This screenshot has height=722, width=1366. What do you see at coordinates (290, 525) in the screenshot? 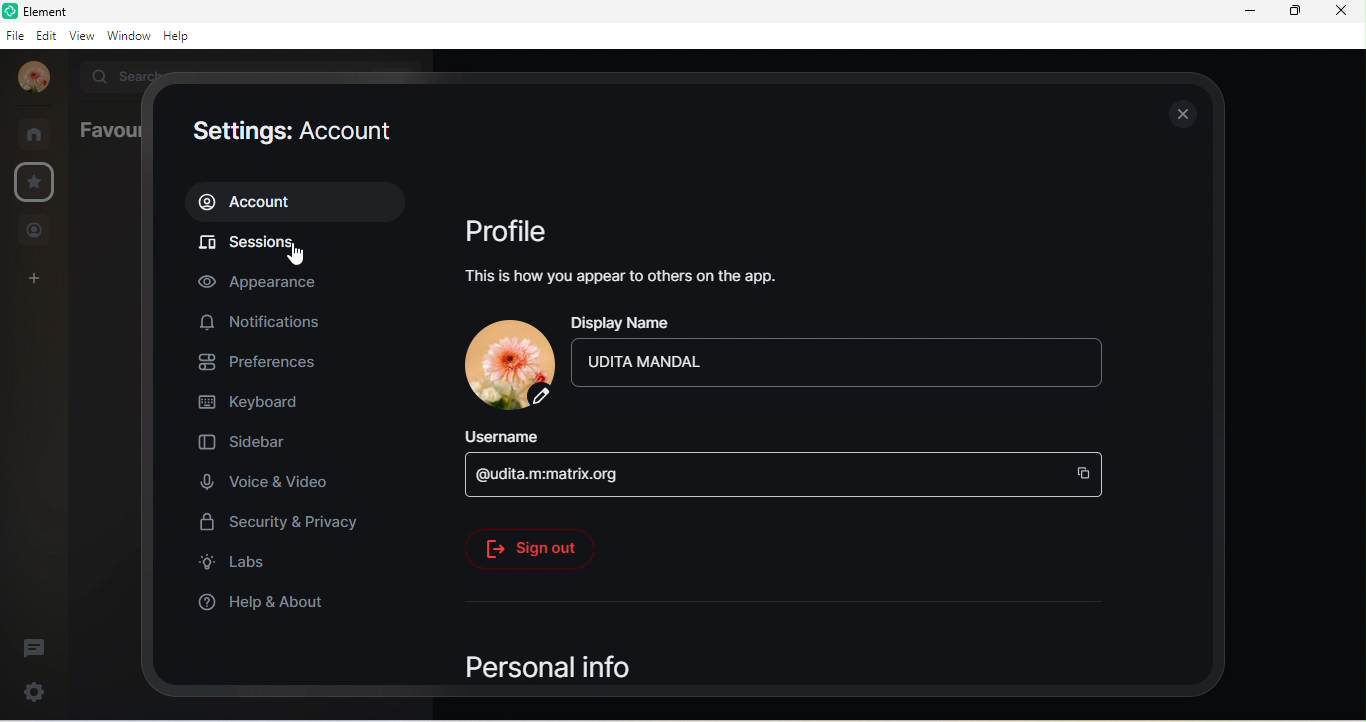
I see `security and privacy` at bounding box center [290, 525].